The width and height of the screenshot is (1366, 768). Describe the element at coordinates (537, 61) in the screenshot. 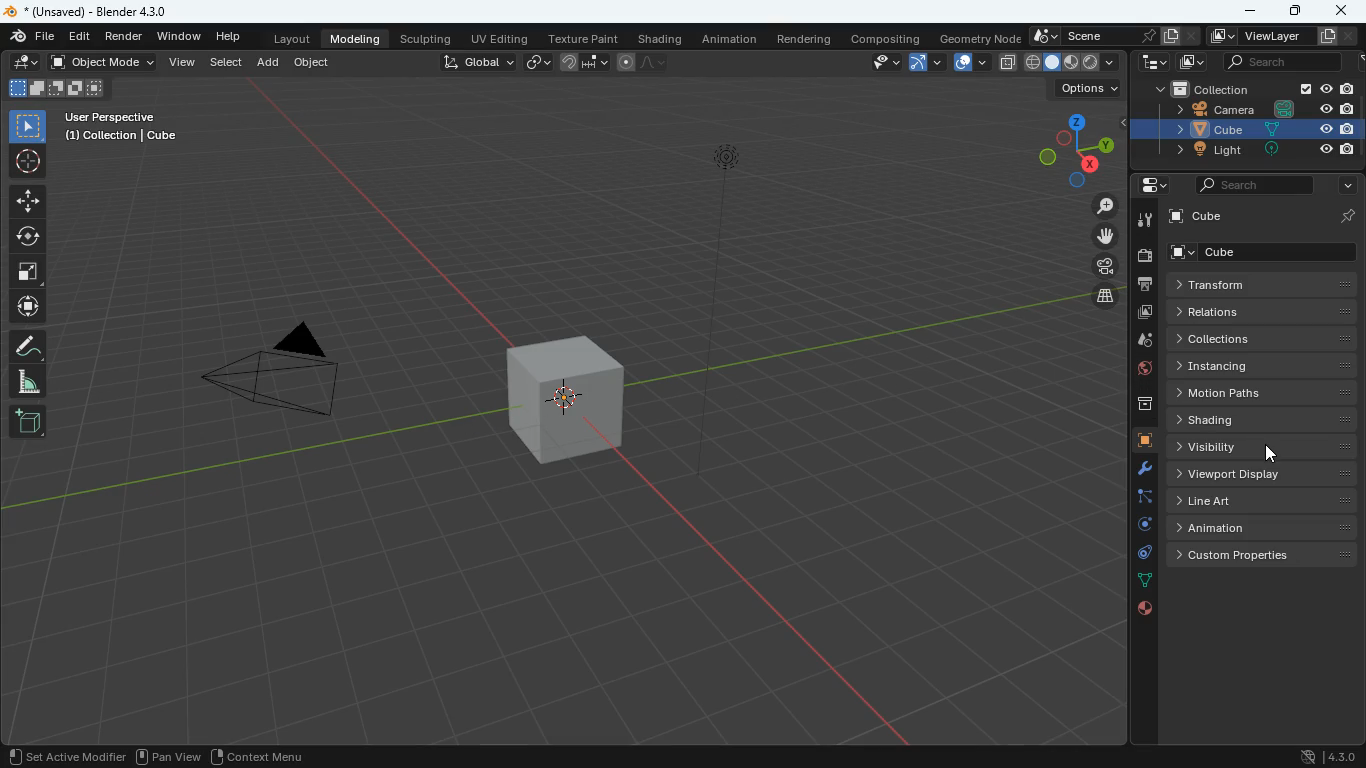

I see `link` at that location.